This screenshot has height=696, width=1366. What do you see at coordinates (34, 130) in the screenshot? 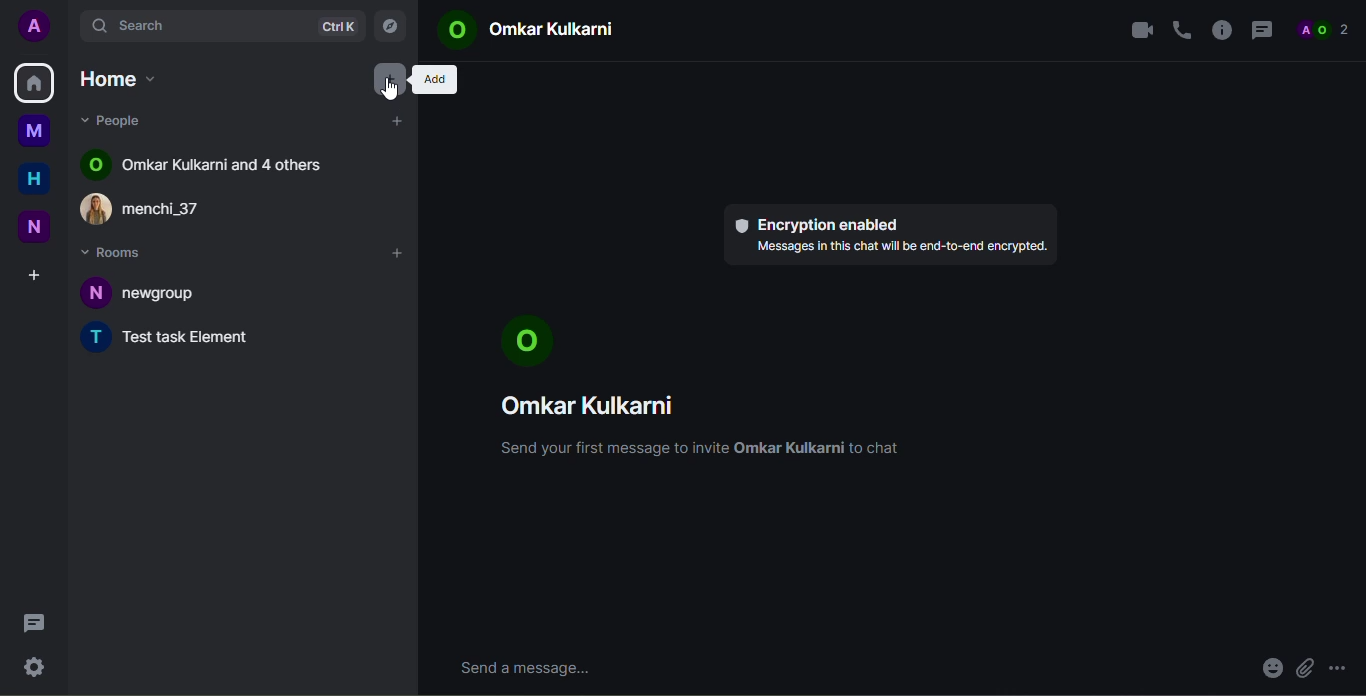
I see `myspace` at bounding box center [34, 130].